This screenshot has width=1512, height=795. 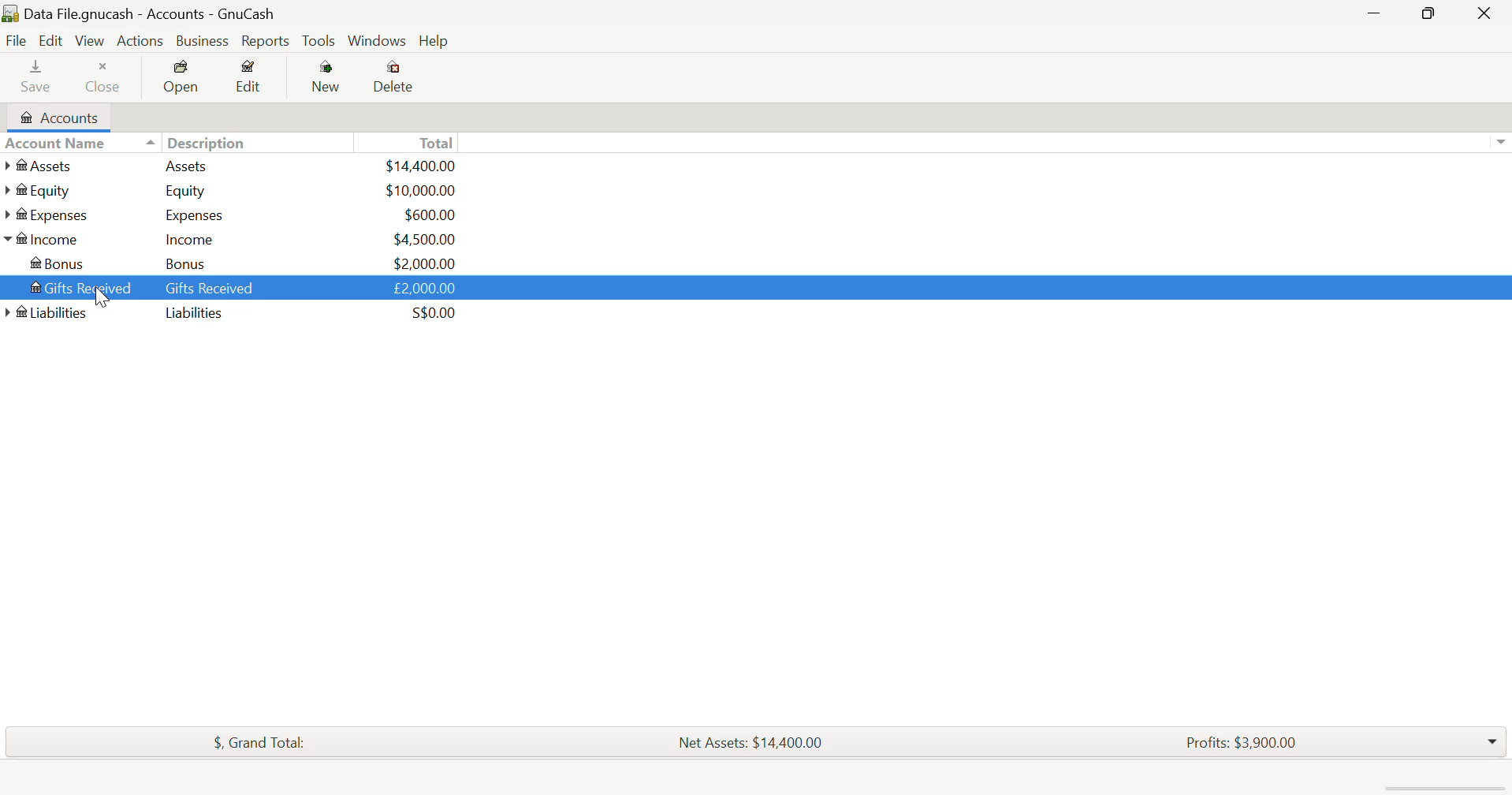 I want to click on USD, so click(x=425, y=214).